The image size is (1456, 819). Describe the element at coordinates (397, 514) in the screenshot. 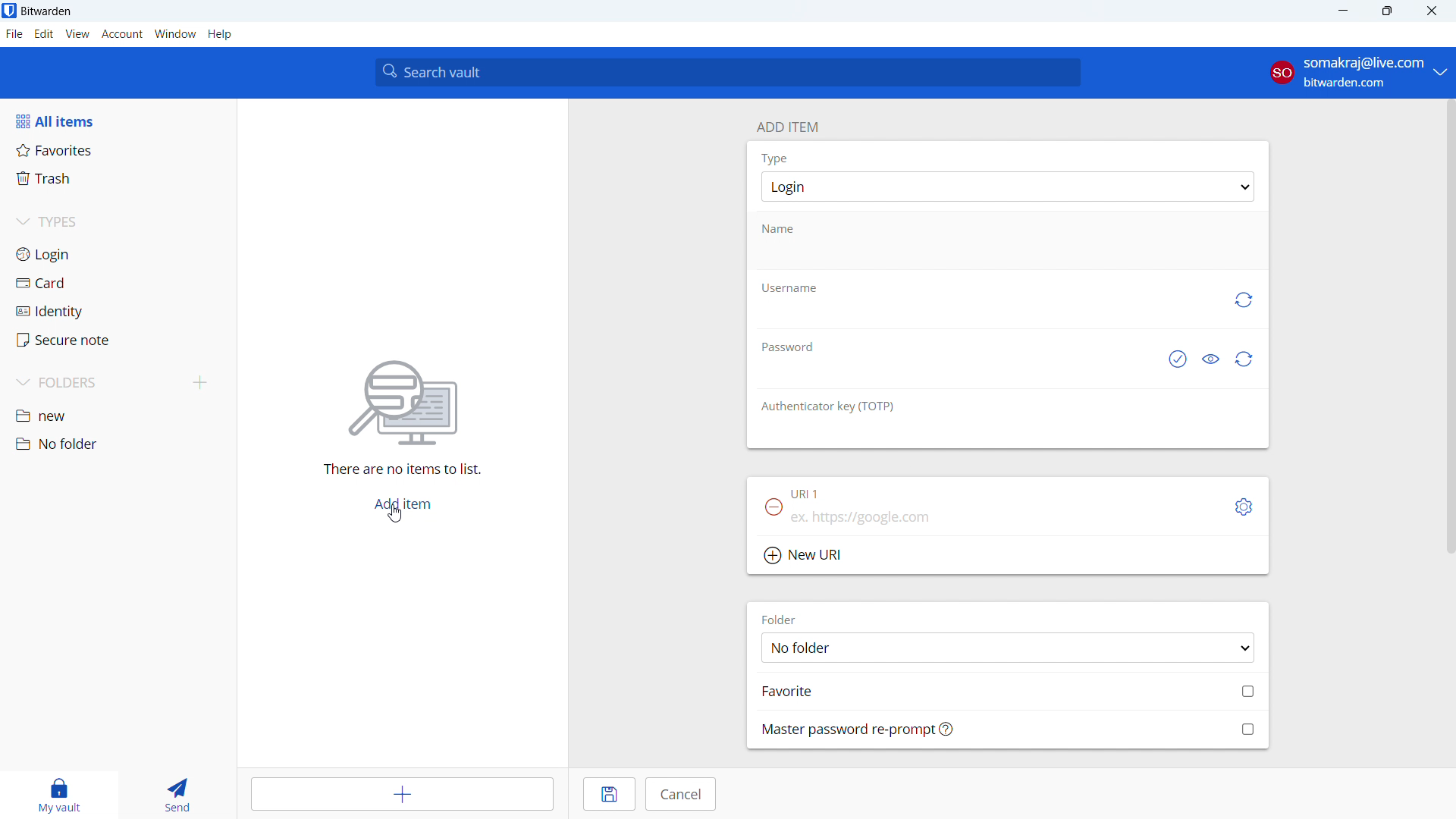

I see `cursor` at that location.